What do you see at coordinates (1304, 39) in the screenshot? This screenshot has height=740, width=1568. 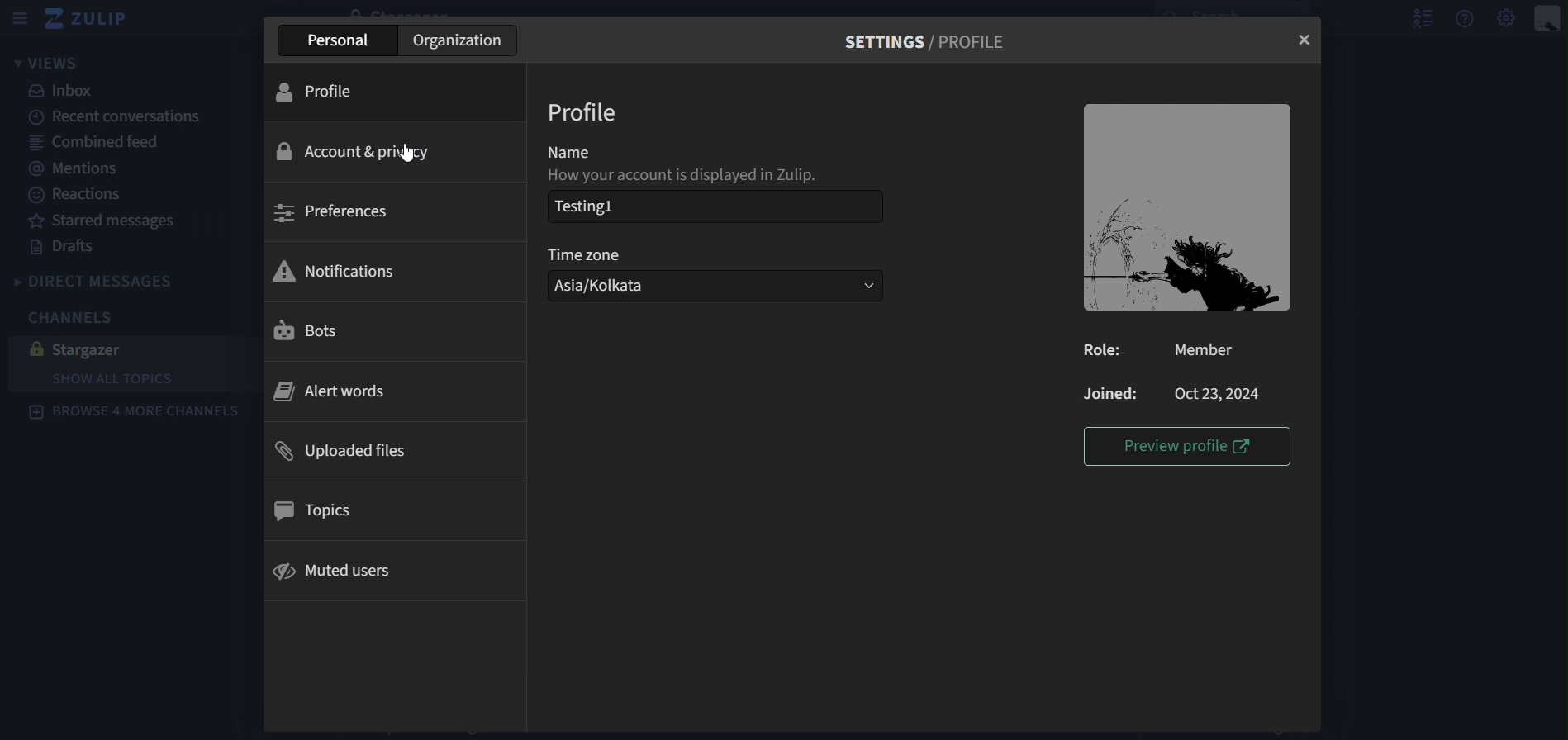 I see `close` at bounding box center [1304, 39].